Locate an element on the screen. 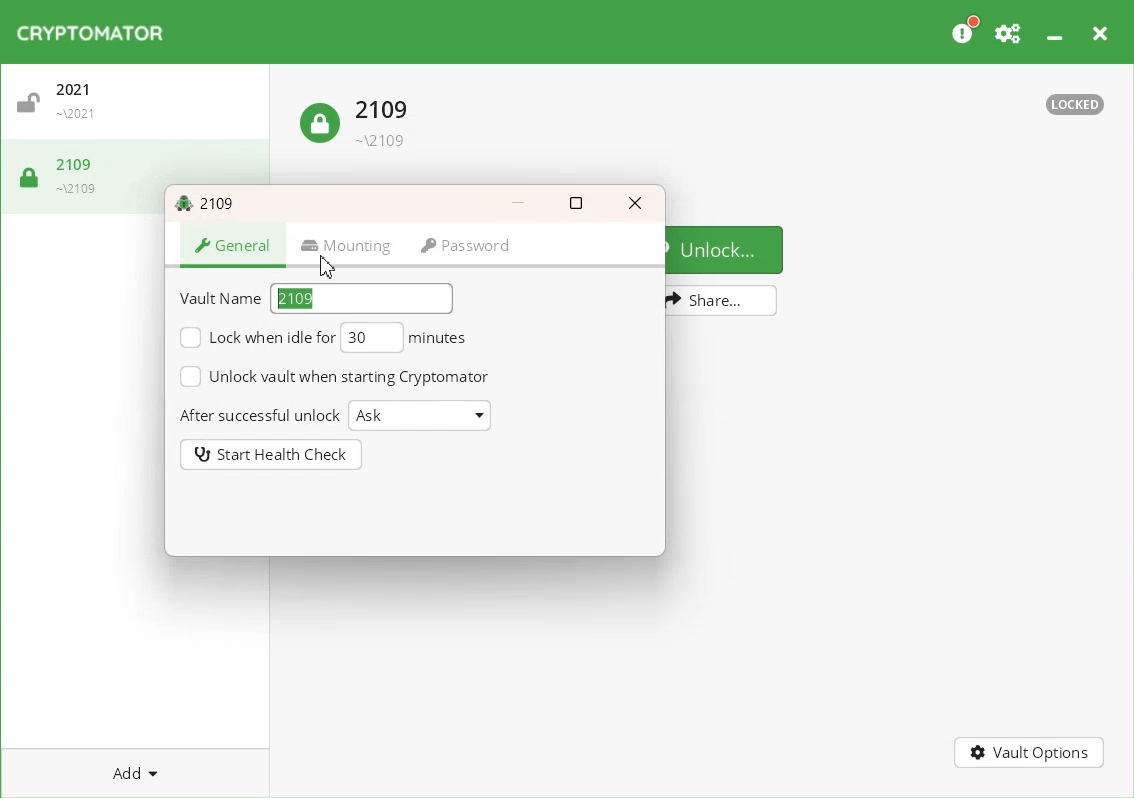 This screenshot has height=798, width=1134. Vault Options is located at coordinates (1031, 754).